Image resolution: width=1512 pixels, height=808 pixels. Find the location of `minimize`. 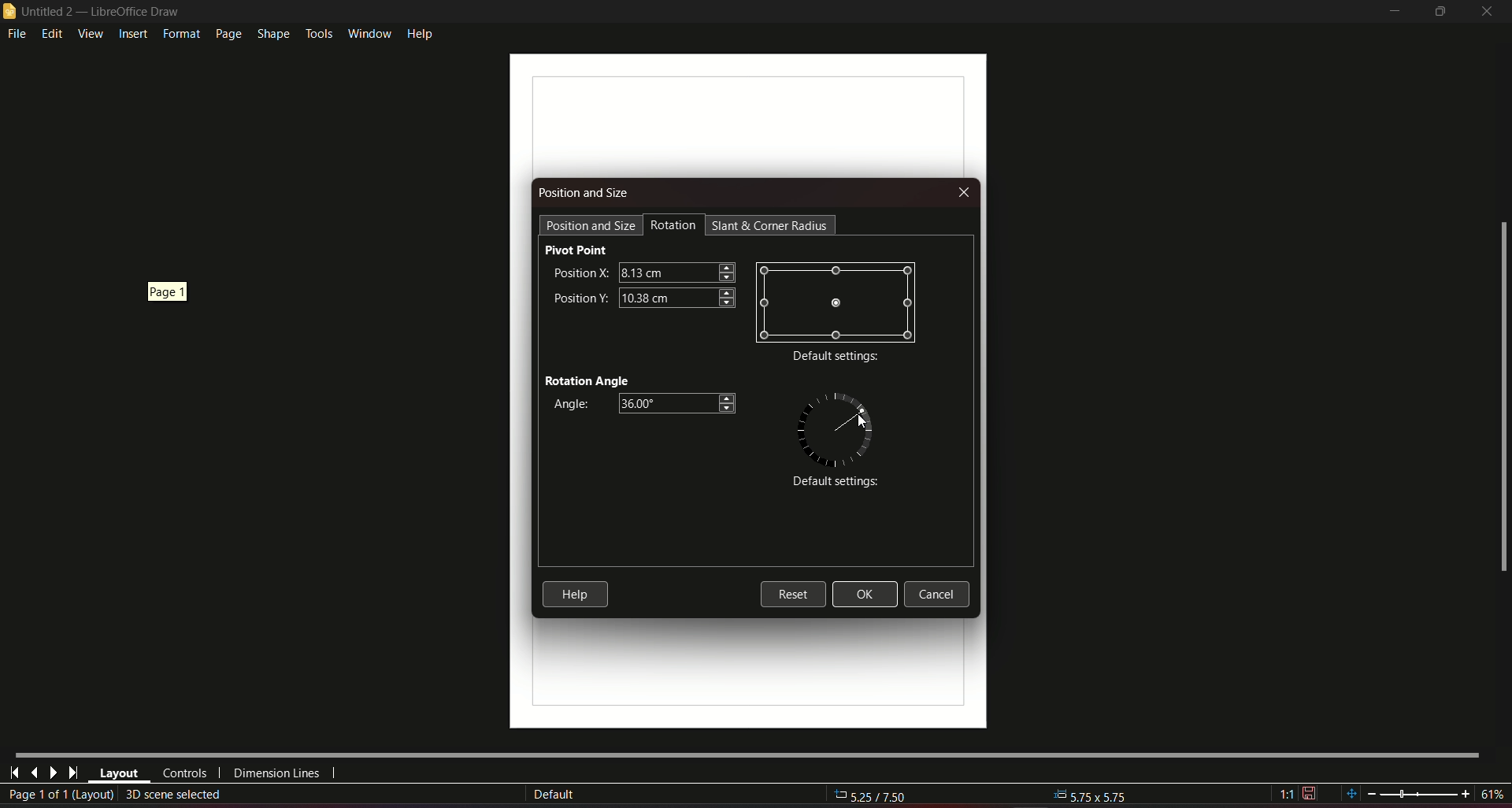

minimize is located at coordinates (1392, 12).